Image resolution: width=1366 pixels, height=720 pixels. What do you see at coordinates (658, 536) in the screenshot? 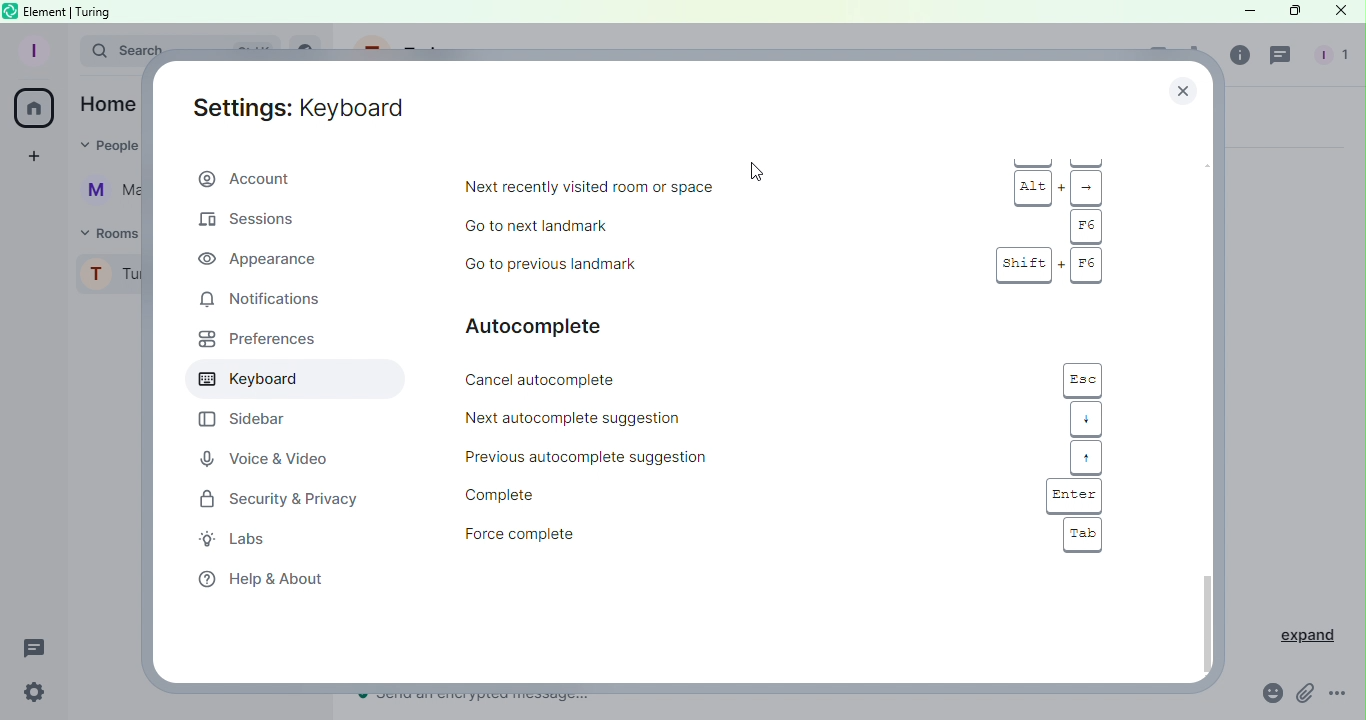
I see `Force complete` at bounding box center [658, 536].